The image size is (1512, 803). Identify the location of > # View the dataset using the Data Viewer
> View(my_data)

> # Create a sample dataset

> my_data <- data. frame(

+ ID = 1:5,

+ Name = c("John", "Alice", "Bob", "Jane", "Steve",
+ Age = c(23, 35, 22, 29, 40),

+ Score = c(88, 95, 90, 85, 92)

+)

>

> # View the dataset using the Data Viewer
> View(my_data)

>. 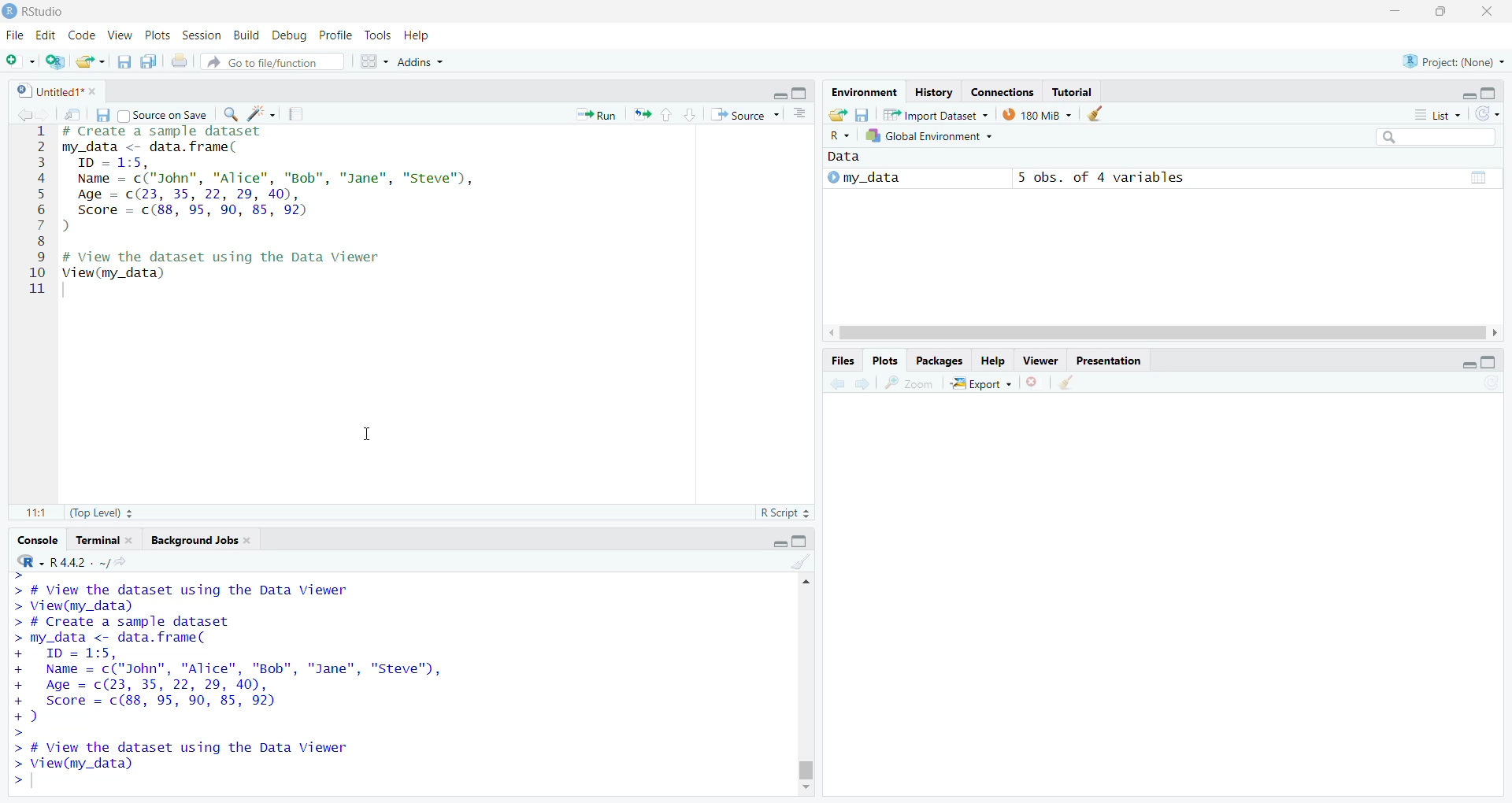
(244, 680).